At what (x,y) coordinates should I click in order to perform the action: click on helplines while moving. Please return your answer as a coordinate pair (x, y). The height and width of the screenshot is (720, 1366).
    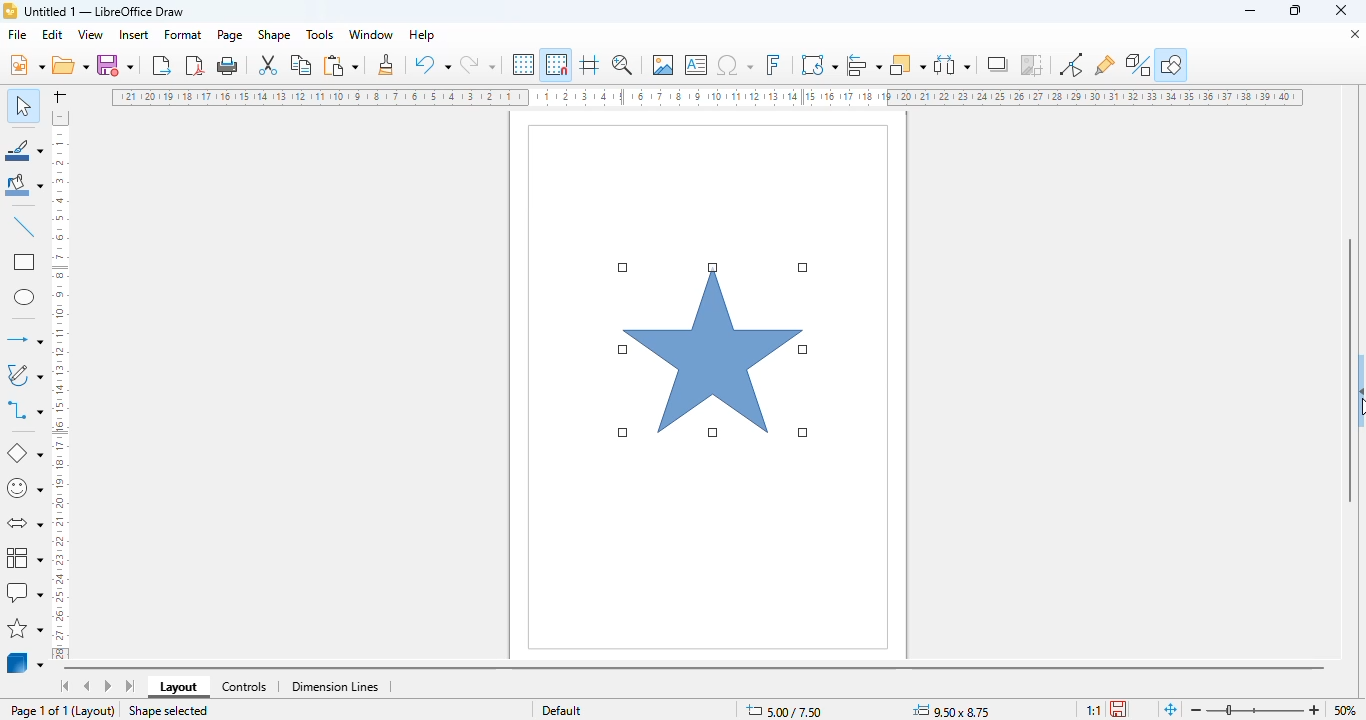
    Looking at the image, I should click on (590, 65).